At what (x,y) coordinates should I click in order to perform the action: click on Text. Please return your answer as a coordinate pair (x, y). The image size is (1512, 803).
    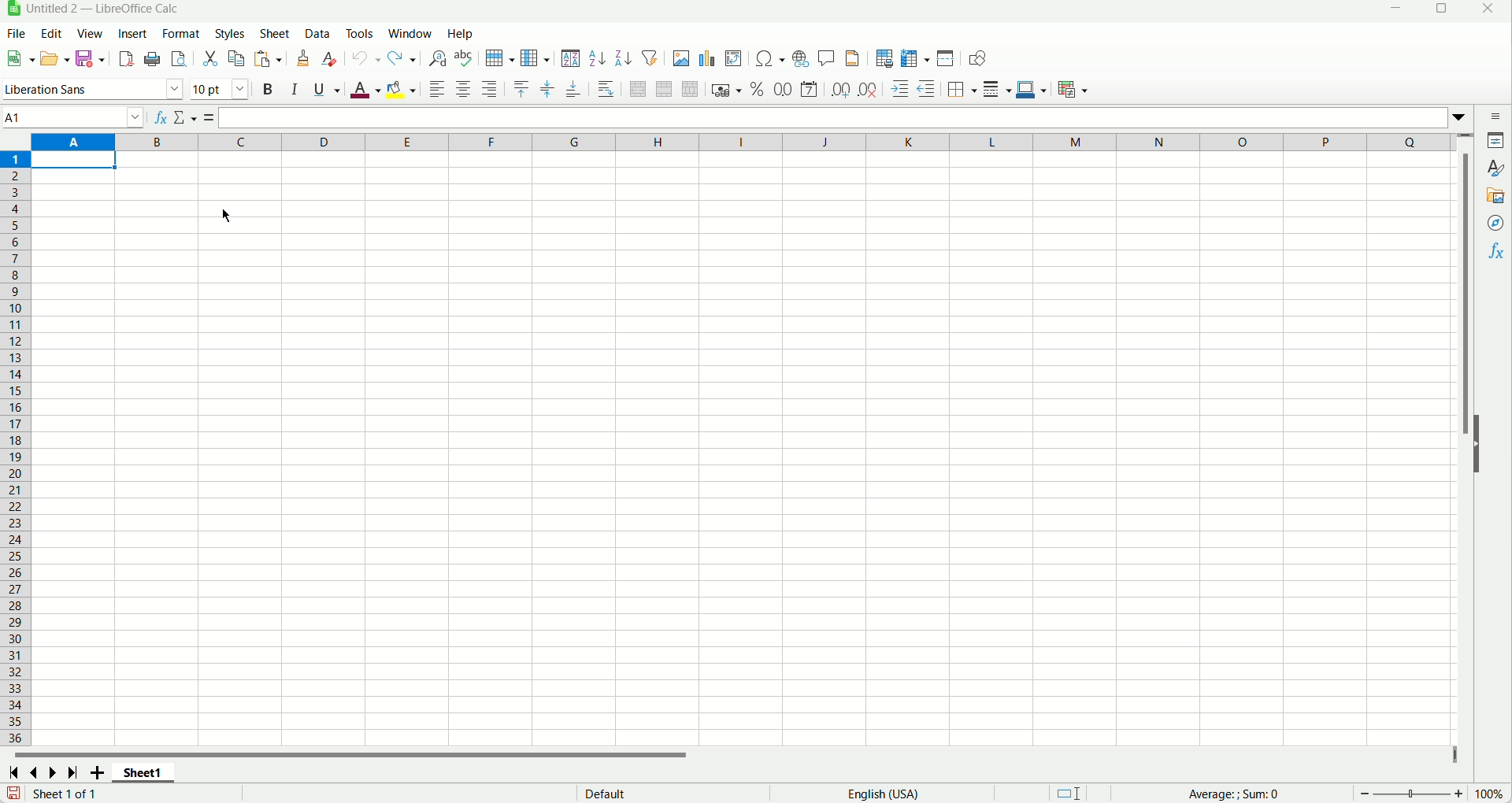
    Looking at the image, I should click on (64, 794).